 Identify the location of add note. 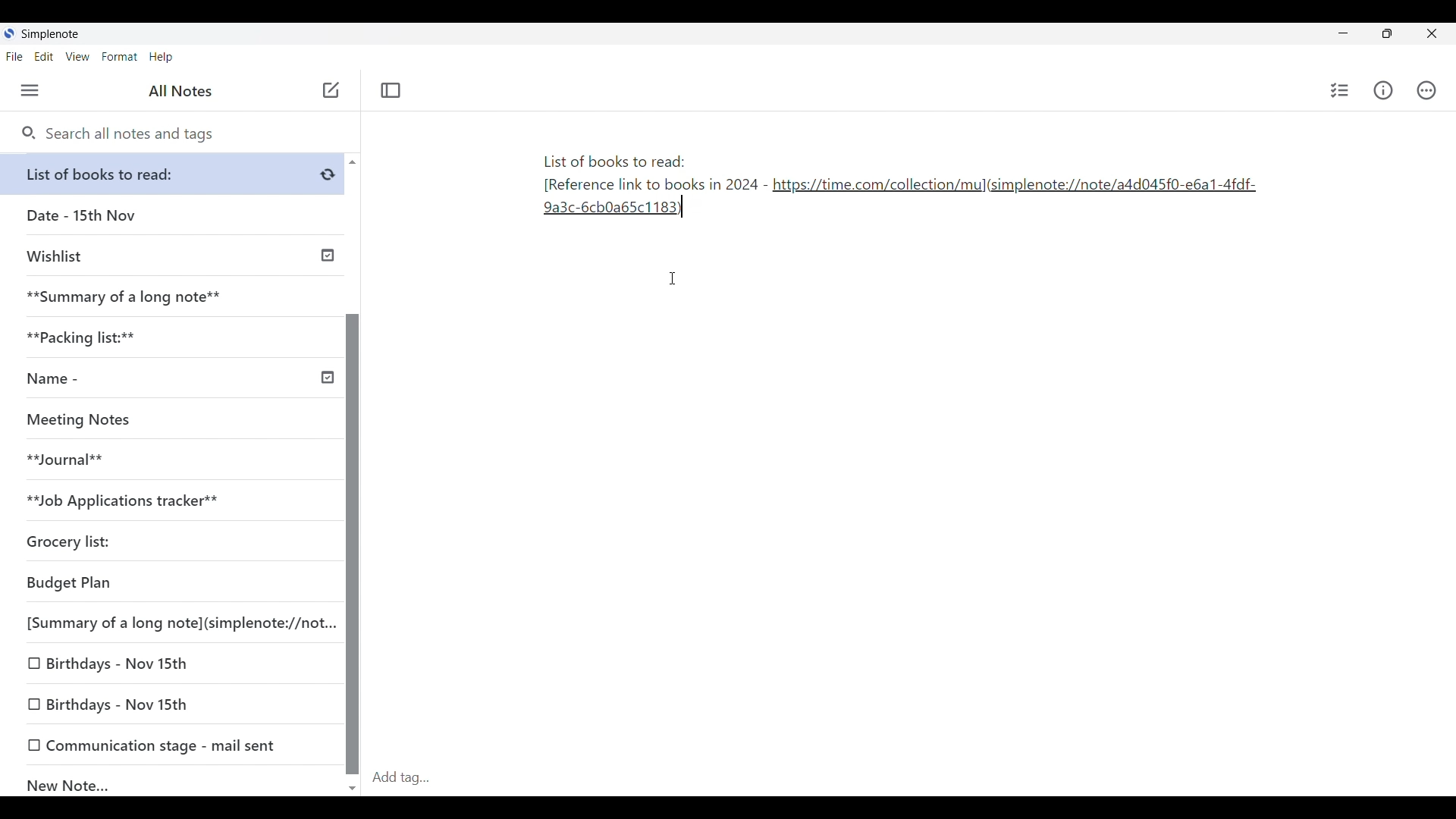
(329, 89).